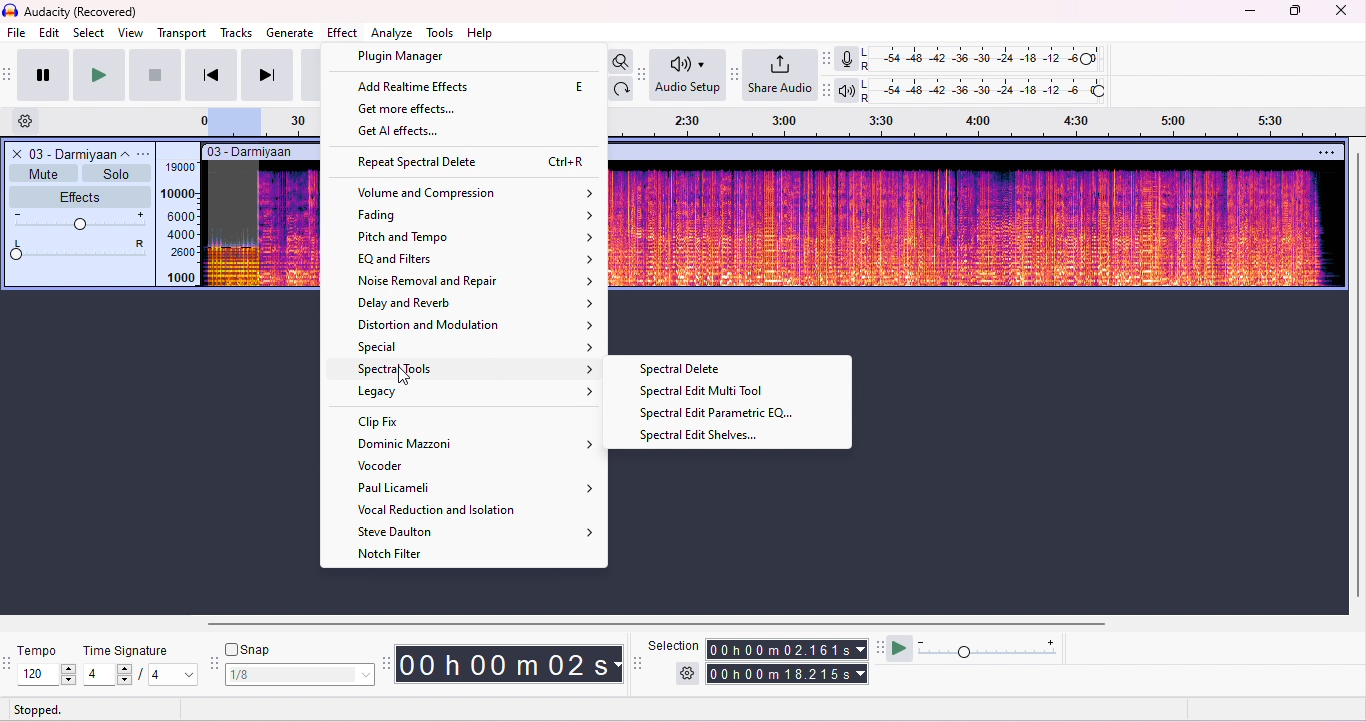 The width and height of the screenshot is (1366, 722). What do you see at coordinates (462, 444) in the screenshot?
I see `dominic mazzoni` at bounding box center [462, 444].